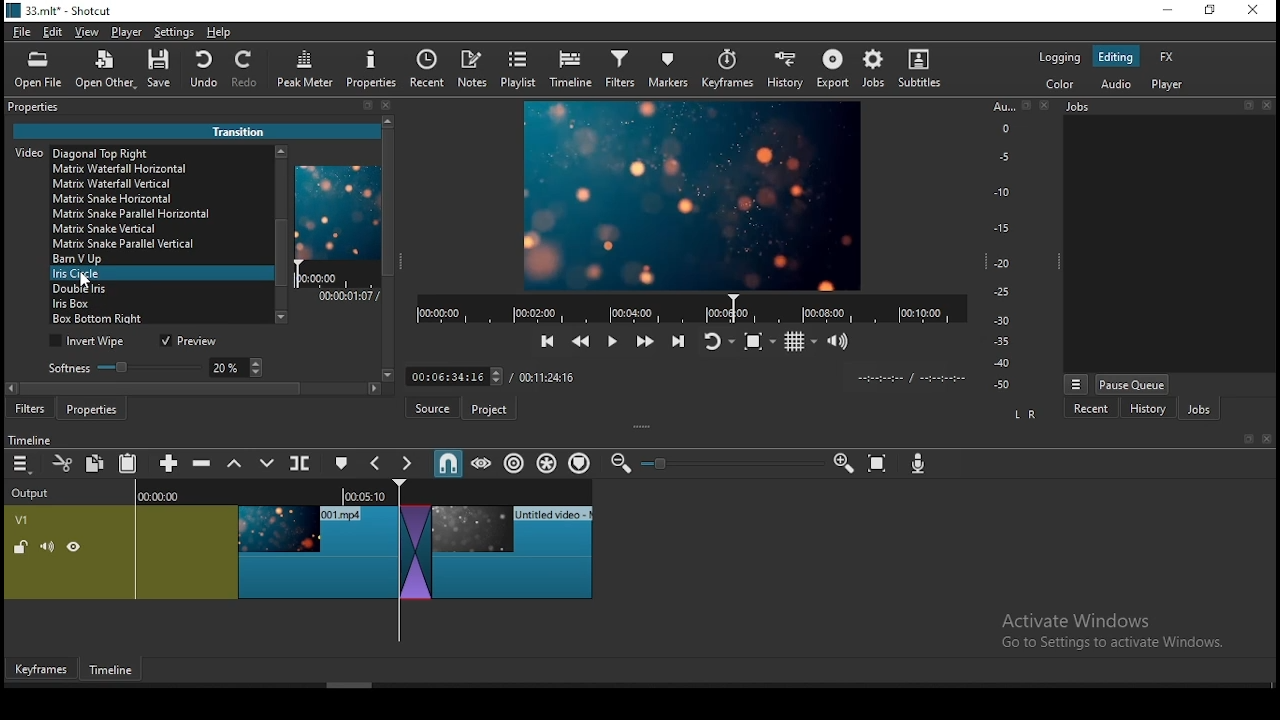 This screenshot has width=1280, height=720. Describe the element at coordinates (1024, 416) in the screenshot. I see `LR` at that location.